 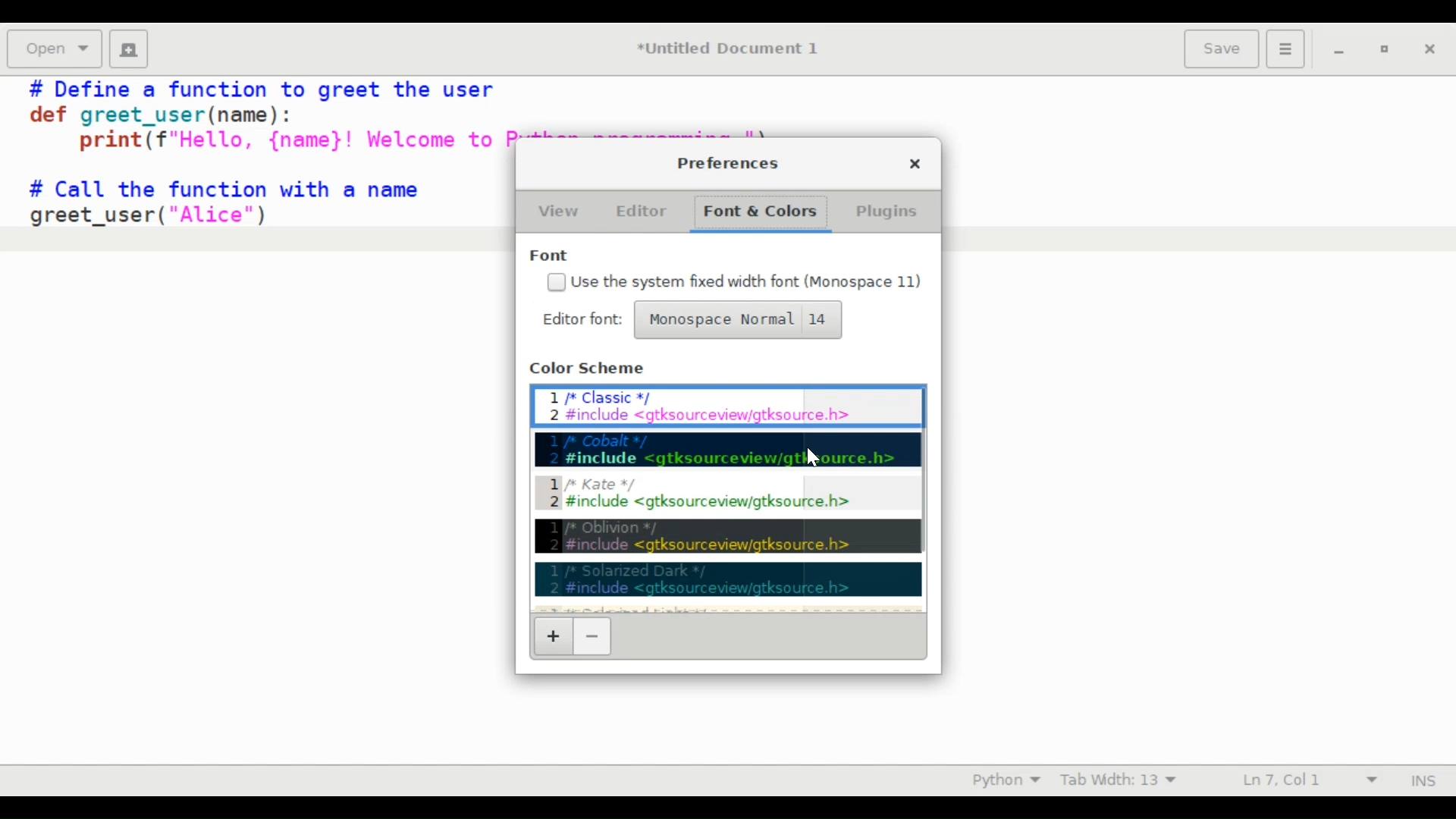 I want to click on Plugins, so click(x=884, y=212).